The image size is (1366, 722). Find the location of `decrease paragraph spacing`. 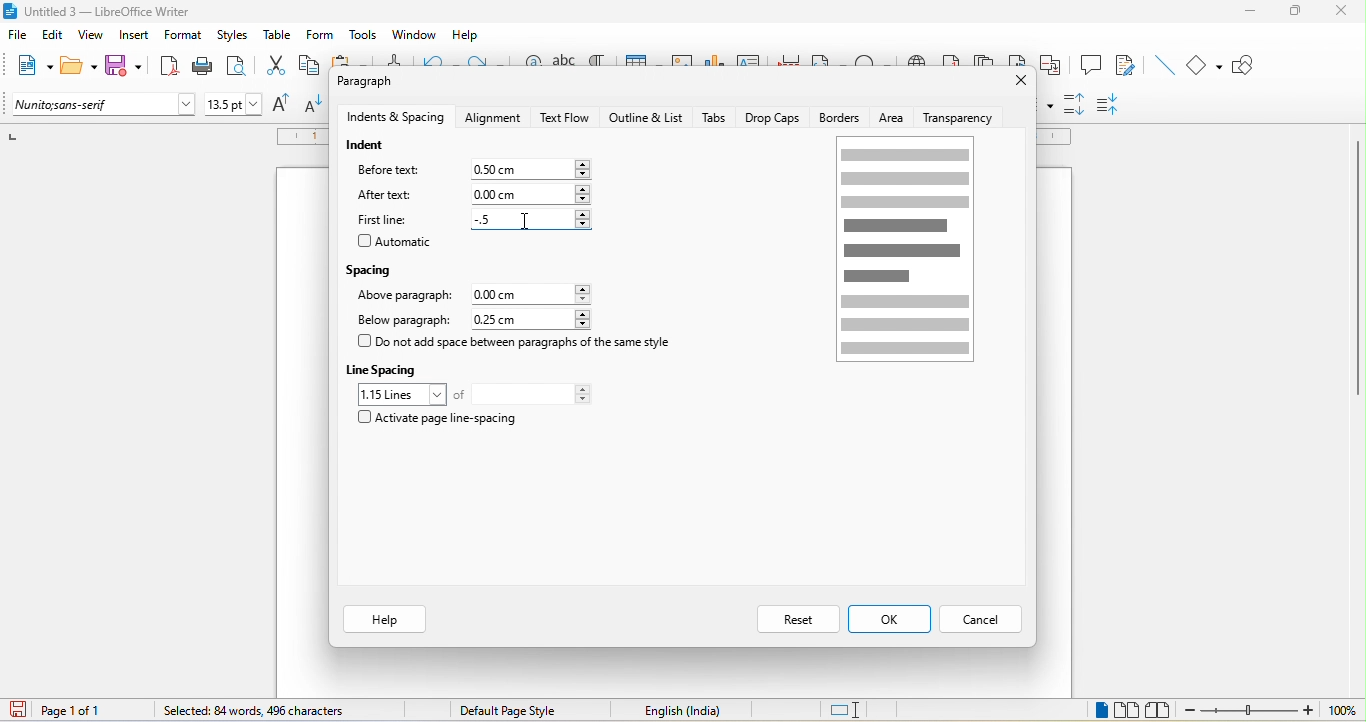

decrease paragraph spacing is located at coordinates (1112, 105).